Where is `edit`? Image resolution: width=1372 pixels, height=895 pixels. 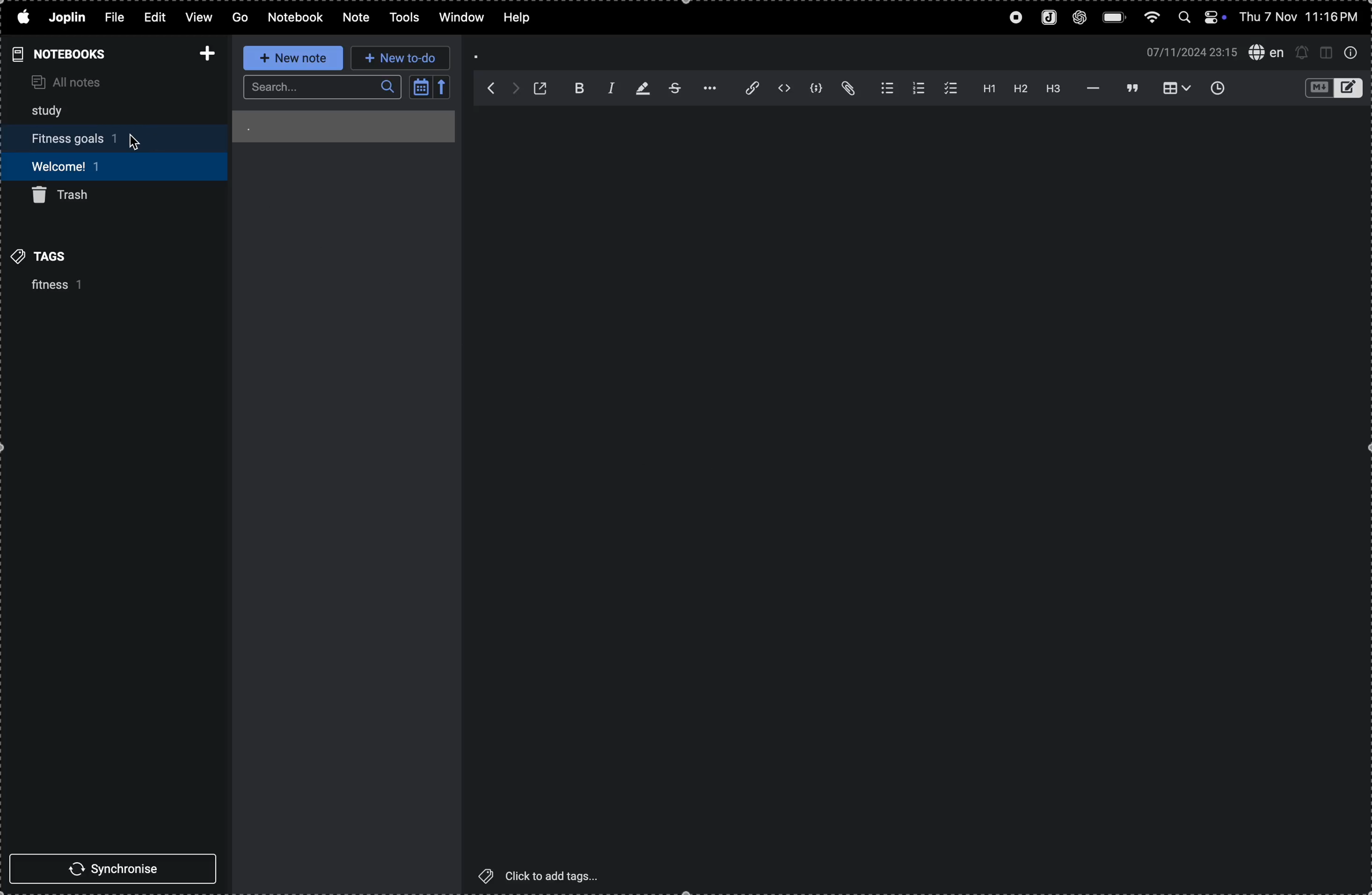
edit is located at coordinates (156, 17).